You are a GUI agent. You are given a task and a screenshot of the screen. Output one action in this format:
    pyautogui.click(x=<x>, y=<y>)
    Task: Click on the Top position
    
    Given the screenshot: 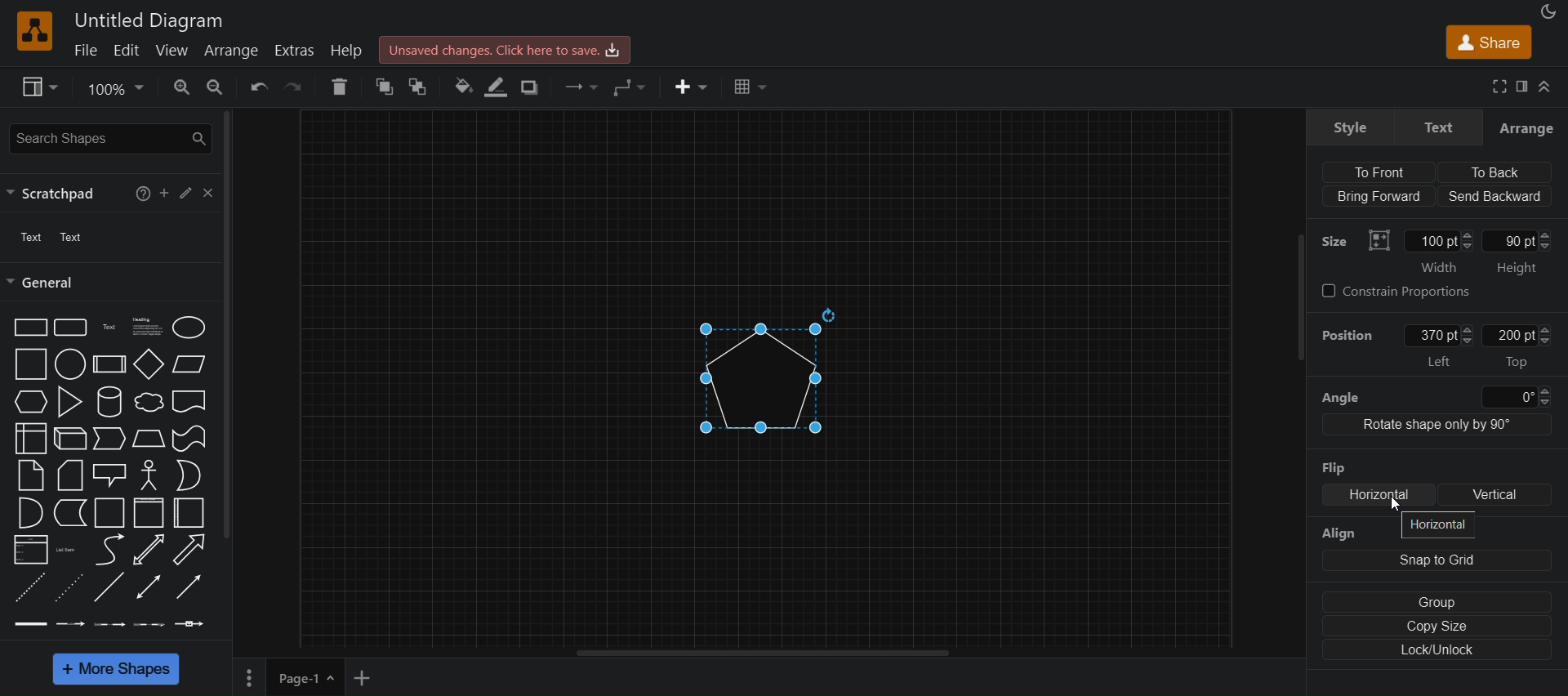 What is the action you would take?
    pyautogui.click(x=1517, y=363)
    